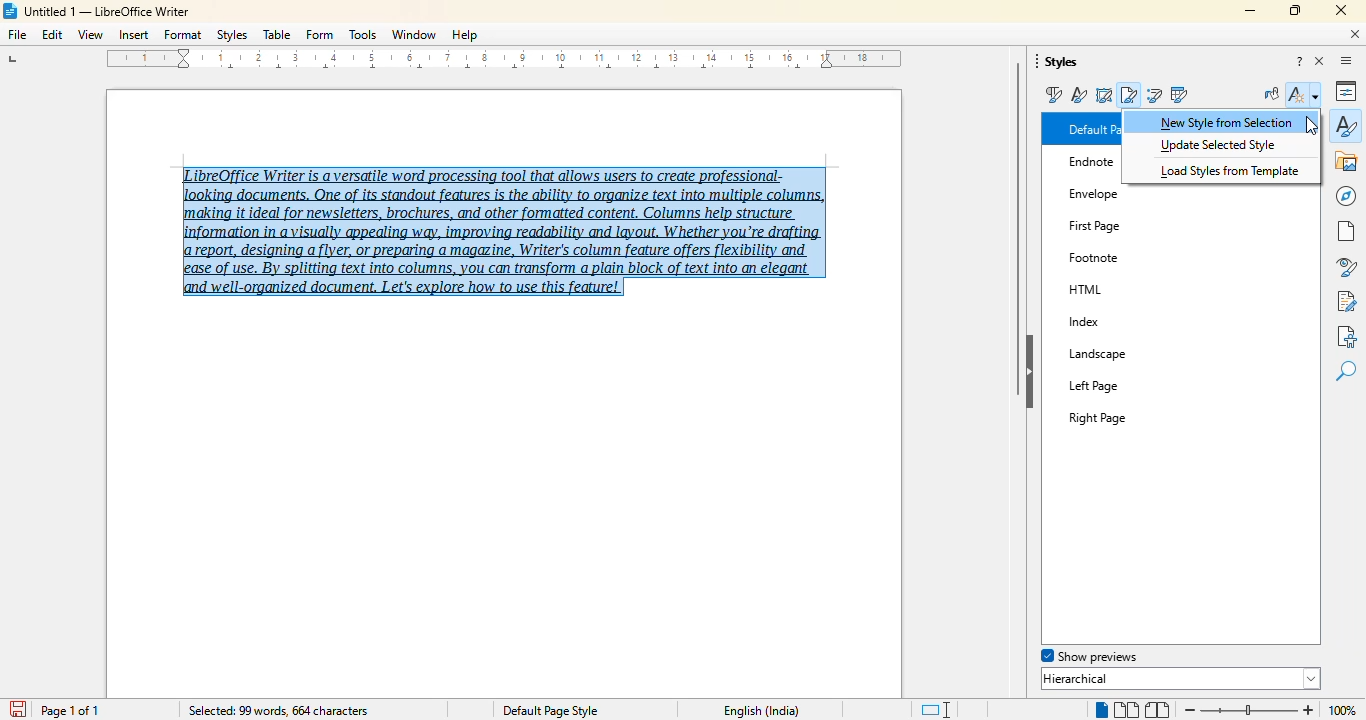 This screenshot has height=720, width=1366. What do you see at coordinates (19, 708) in the screenshot?
I see `save document` at bounding box center [19, 708].